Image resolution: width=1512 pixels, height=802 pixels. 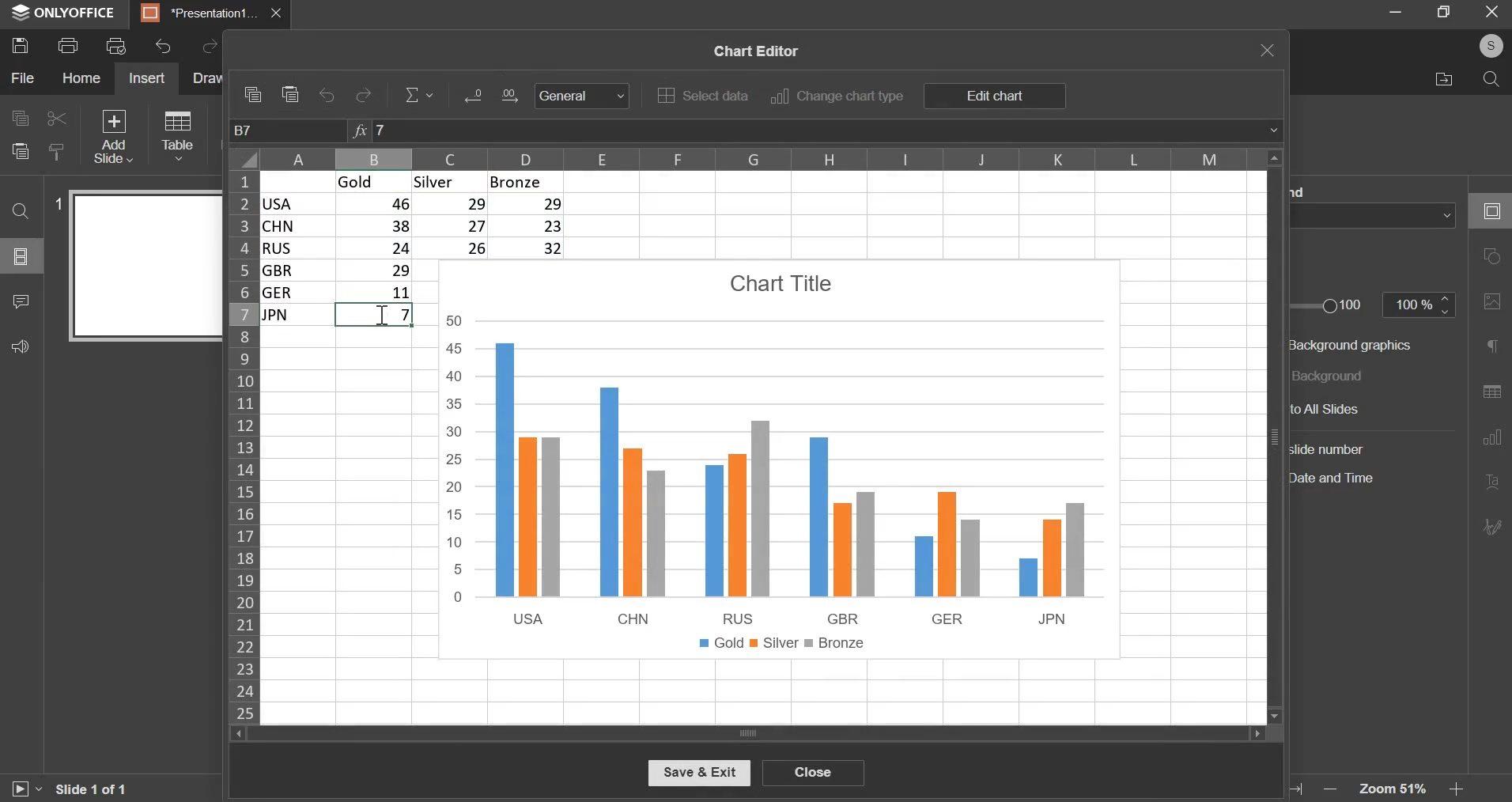 I want to click on background, so click(x=1336, y=375).